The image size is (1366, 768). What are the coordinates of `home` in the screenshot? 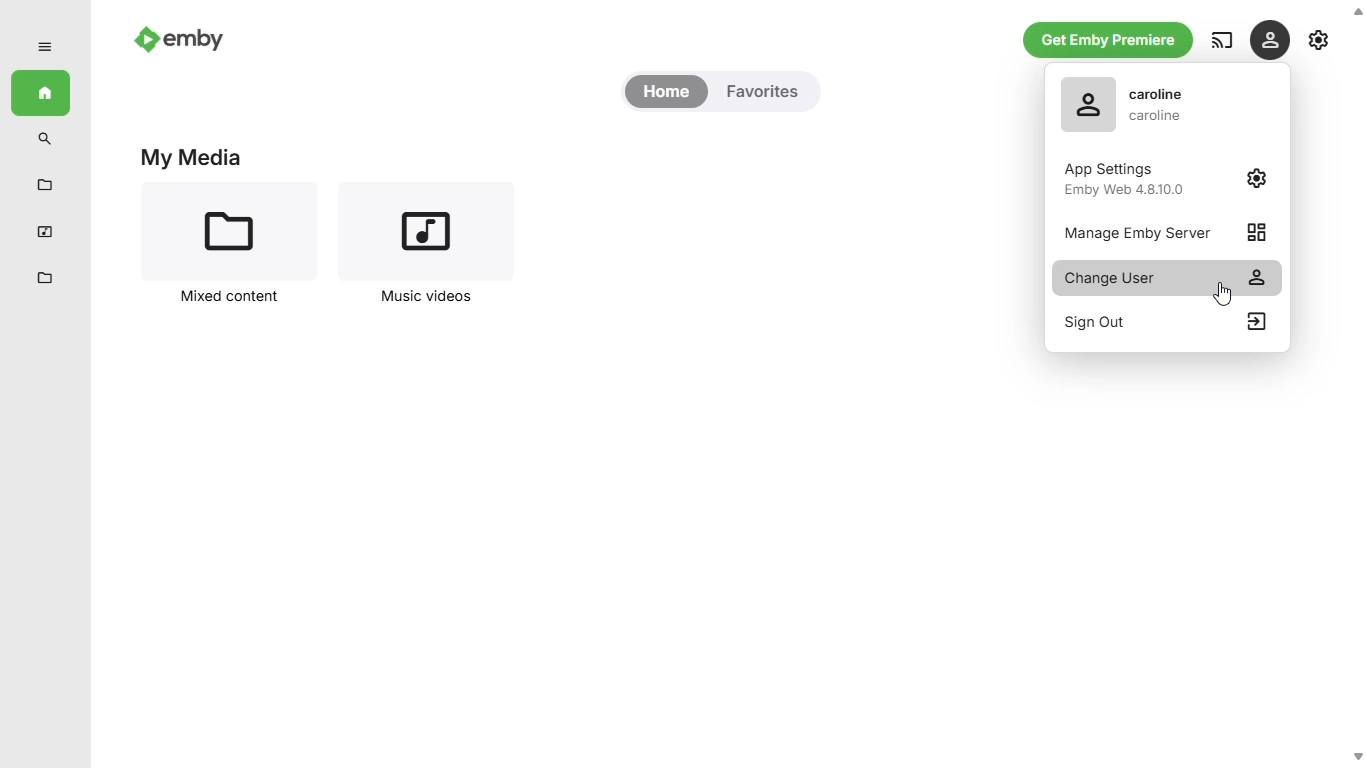 It's located at (666, 92).